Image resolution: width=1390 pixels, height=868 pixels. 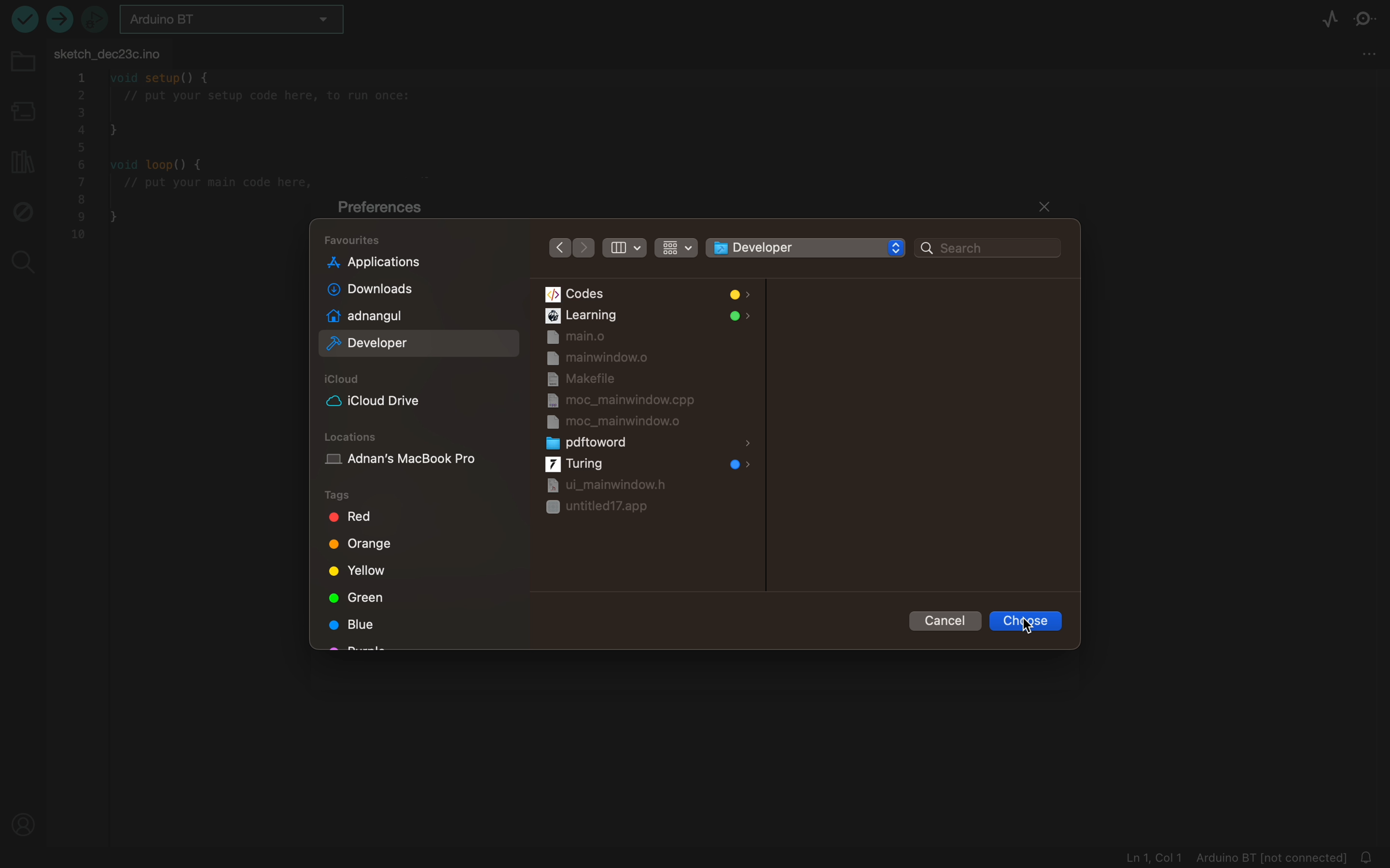 What do you see at coordinates (353, 599) in the screenshot?
I see `green` at bounding box center [353, 599].